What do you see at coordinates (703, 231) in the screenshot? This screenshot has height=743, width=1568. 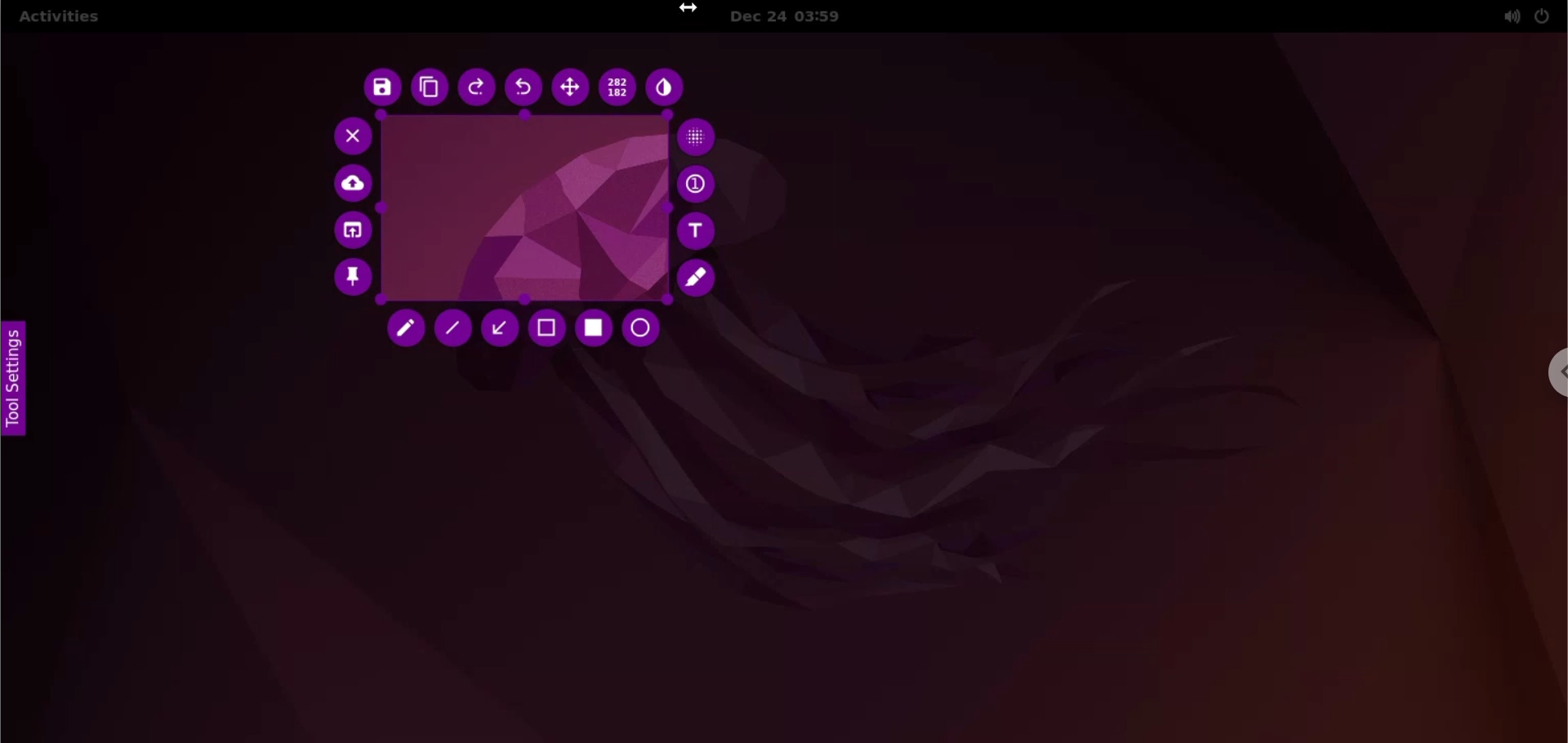 I see `text` at bounding box center [703, 231].